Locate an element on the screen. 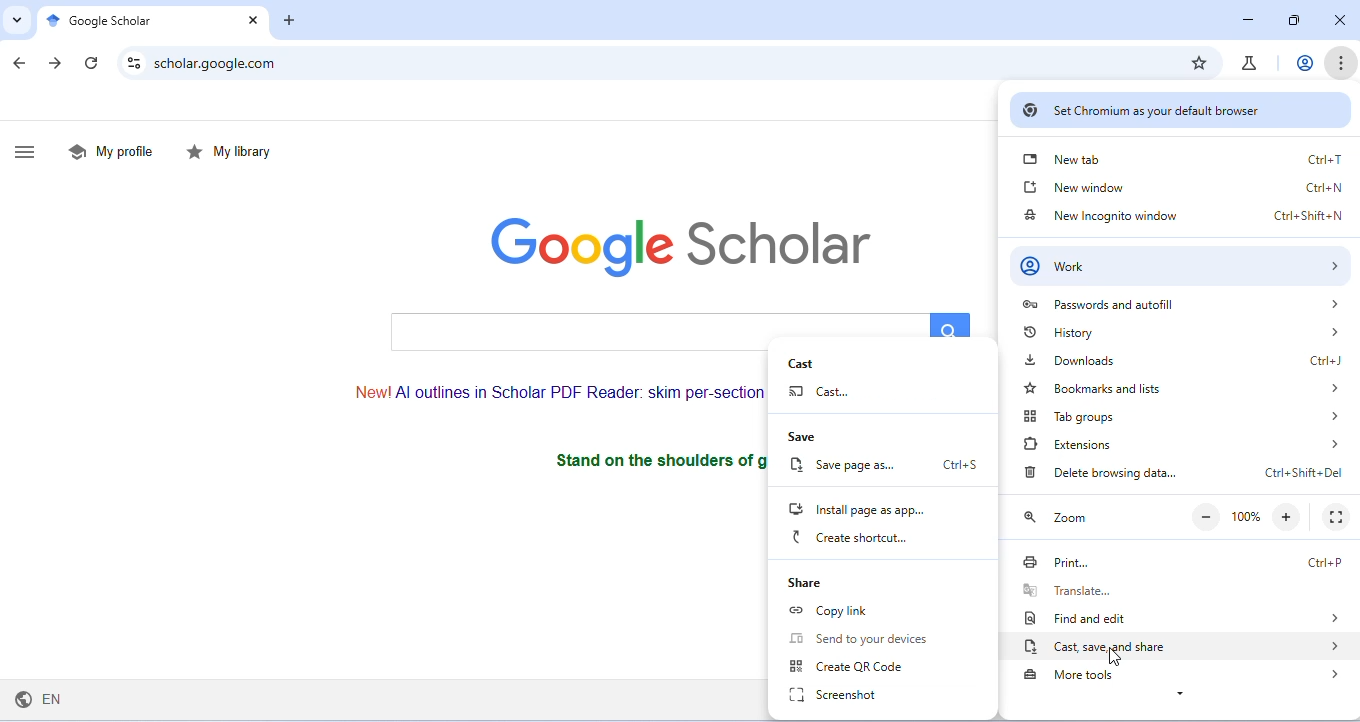 The image size is (1360, 722). print is located at coordinates (1184, 562).